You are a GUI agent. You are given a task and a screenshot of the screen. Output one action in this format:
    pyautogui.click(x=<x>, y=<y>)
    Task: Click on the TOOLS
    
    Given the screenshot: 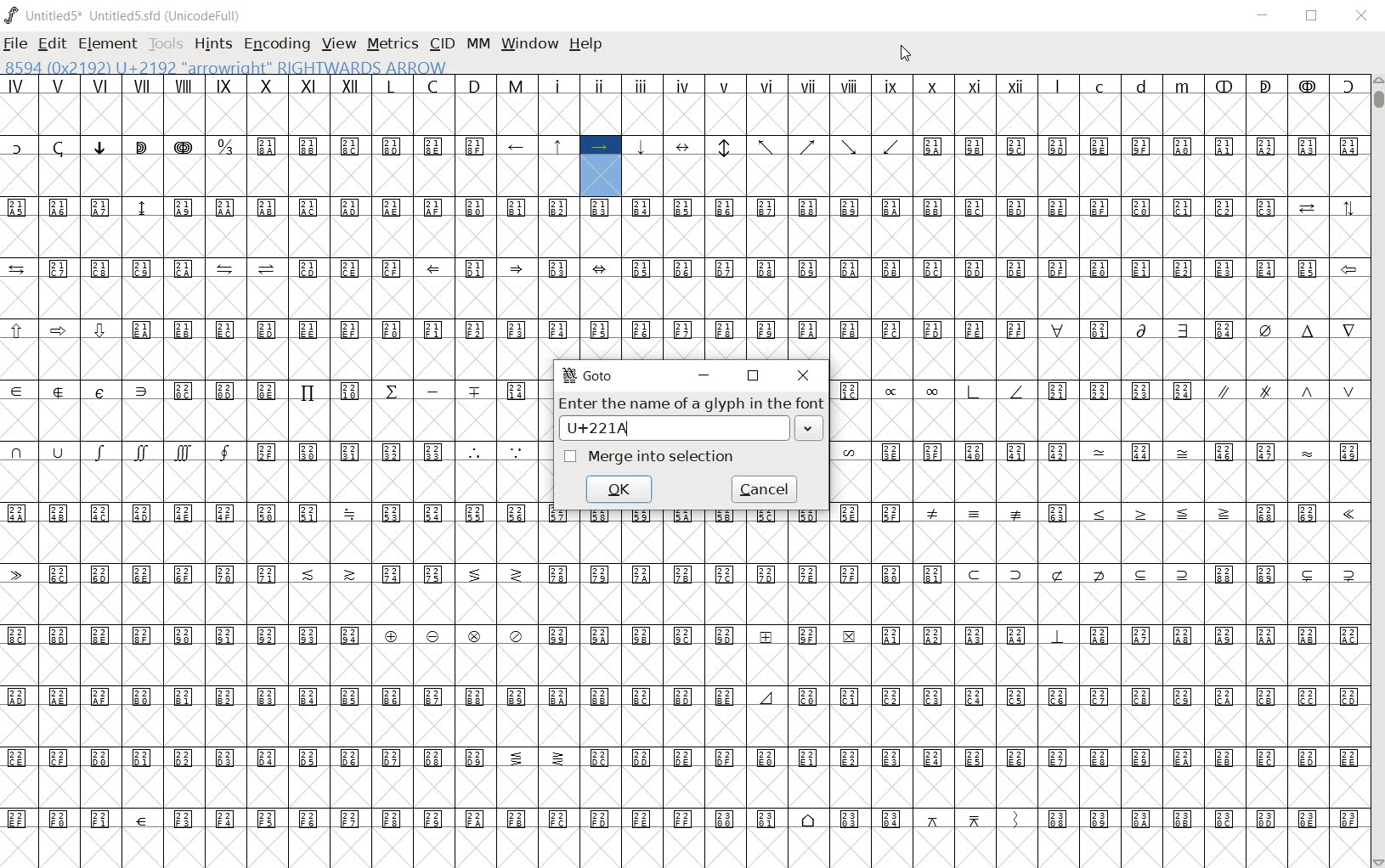 What is the action you would take?
    pyautogui.click(x=166, y=44)
    